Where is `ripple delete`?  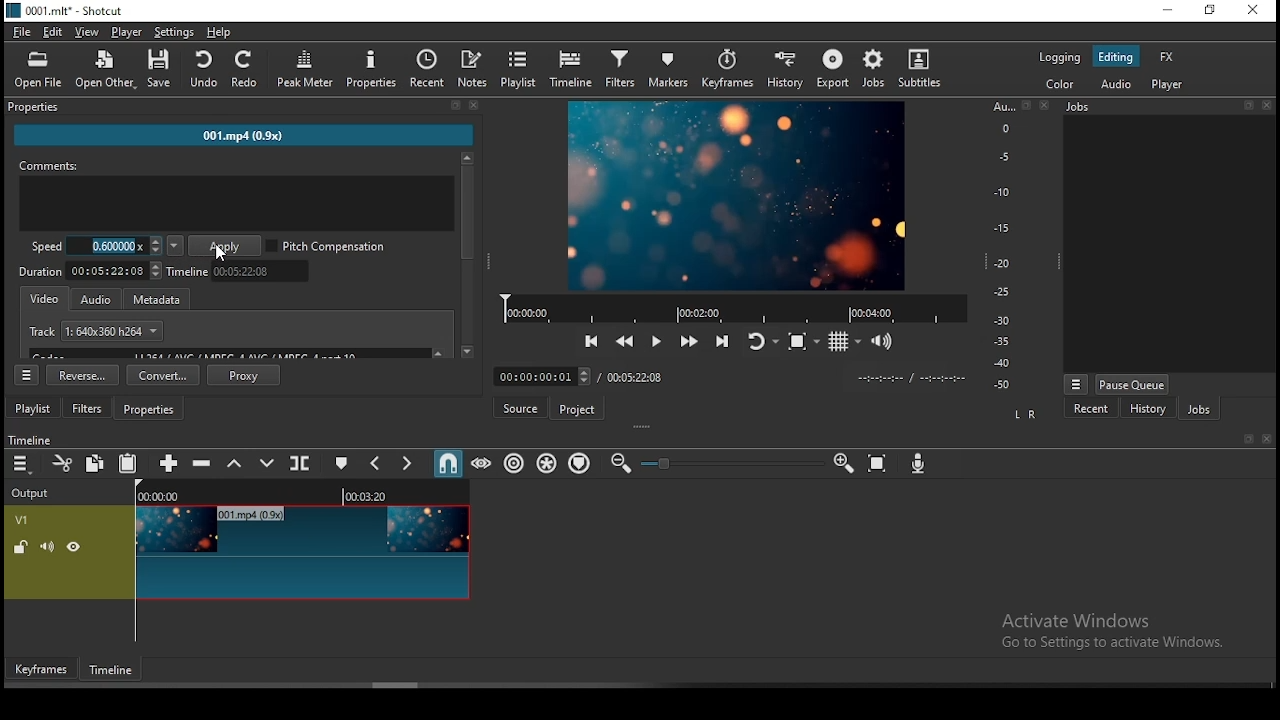 ripple delete is located at coordinates (207, 466).